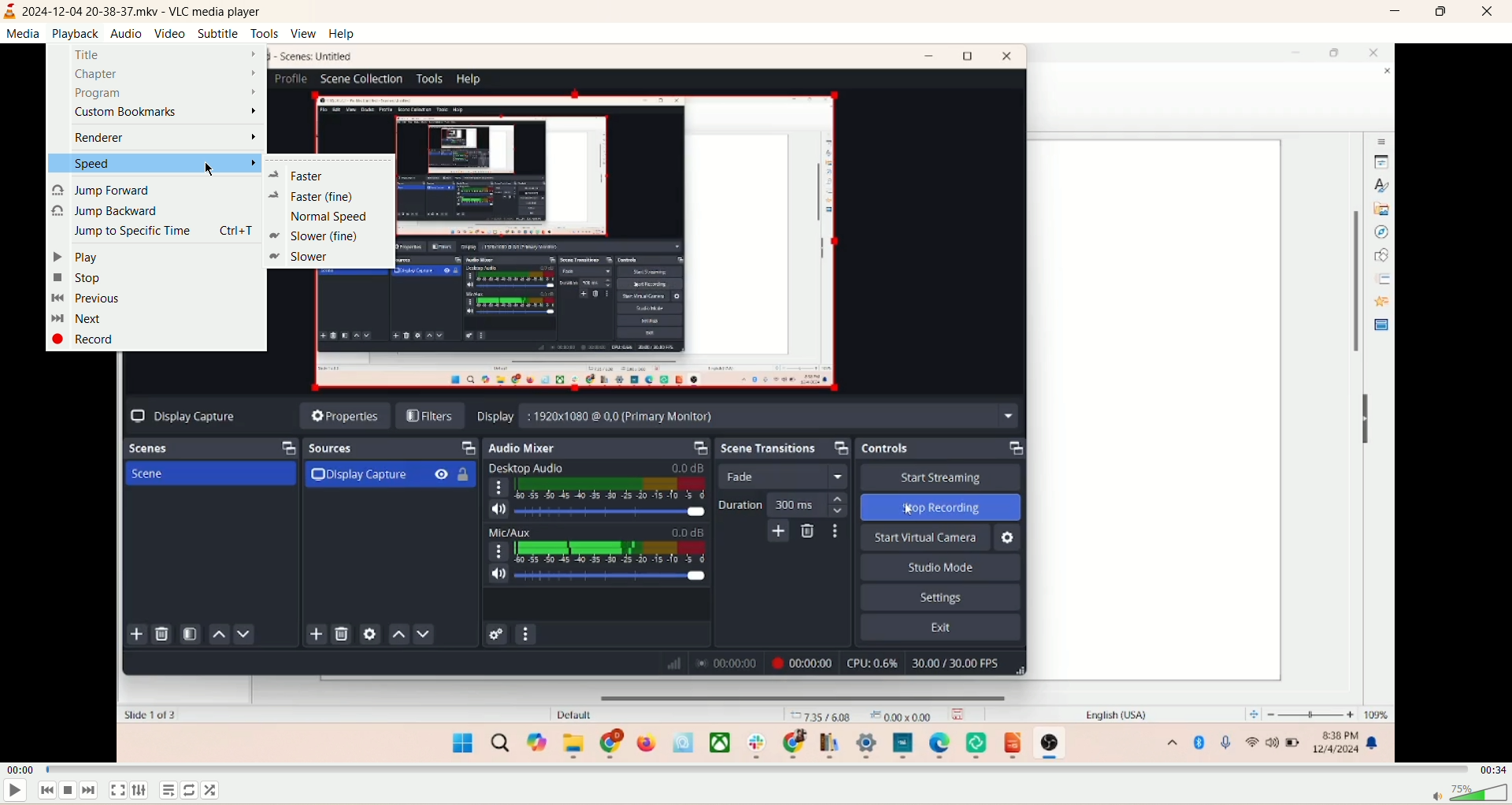 The height and width of the screenshot is (805, 1512). What do you see at coordinates (20, 769) in the screenshot?
I see `played time` at bounding box center [20, 769].